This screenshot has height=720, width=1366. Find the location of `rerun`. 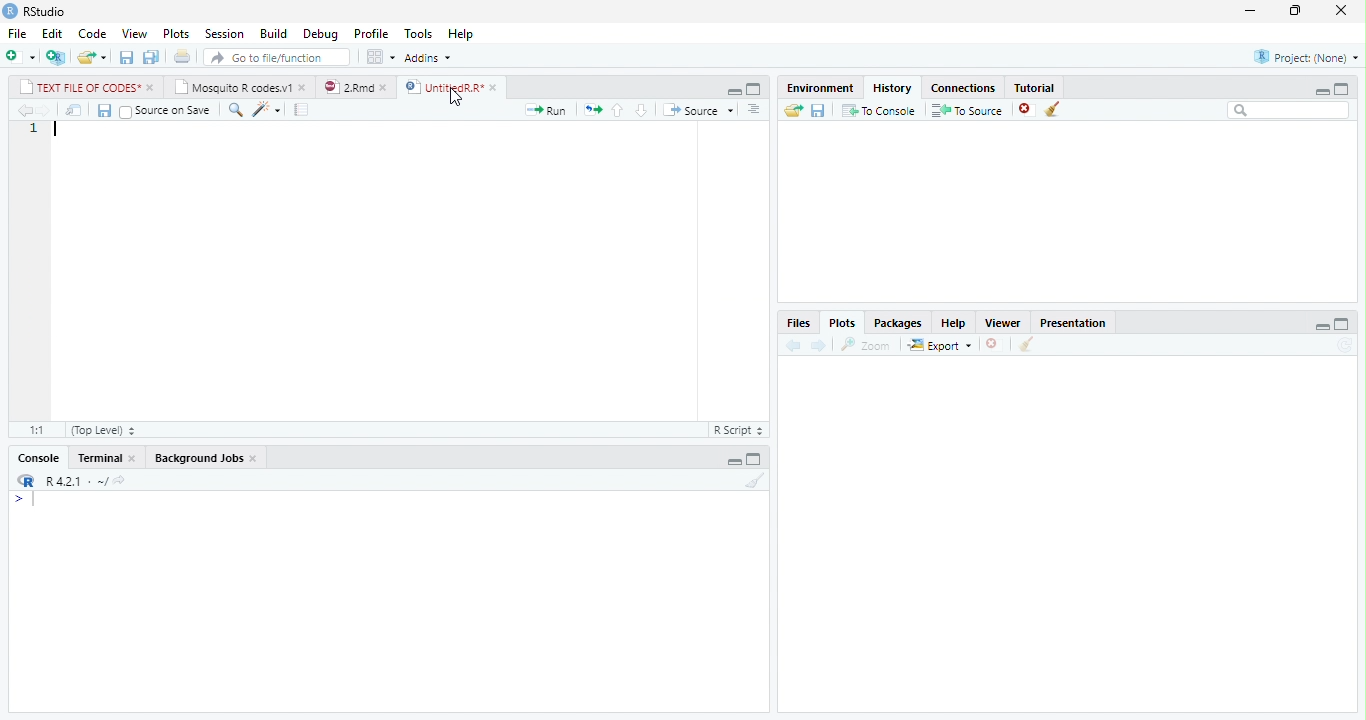

rerun is located at coordinates (592, 111).